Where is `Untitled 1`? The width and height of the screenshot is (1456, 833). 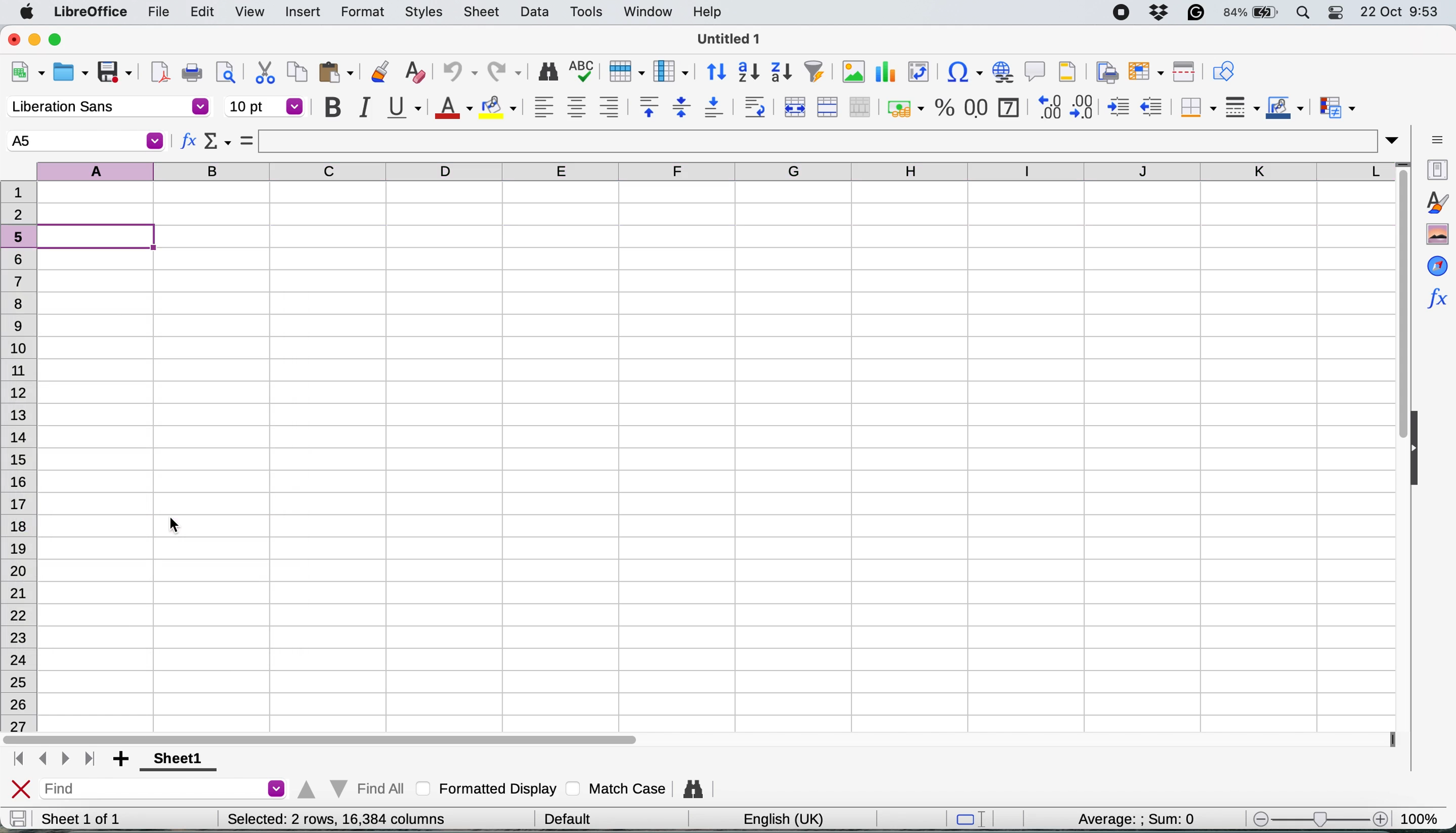
Untitled 1 is located at coordinates (726, 38).